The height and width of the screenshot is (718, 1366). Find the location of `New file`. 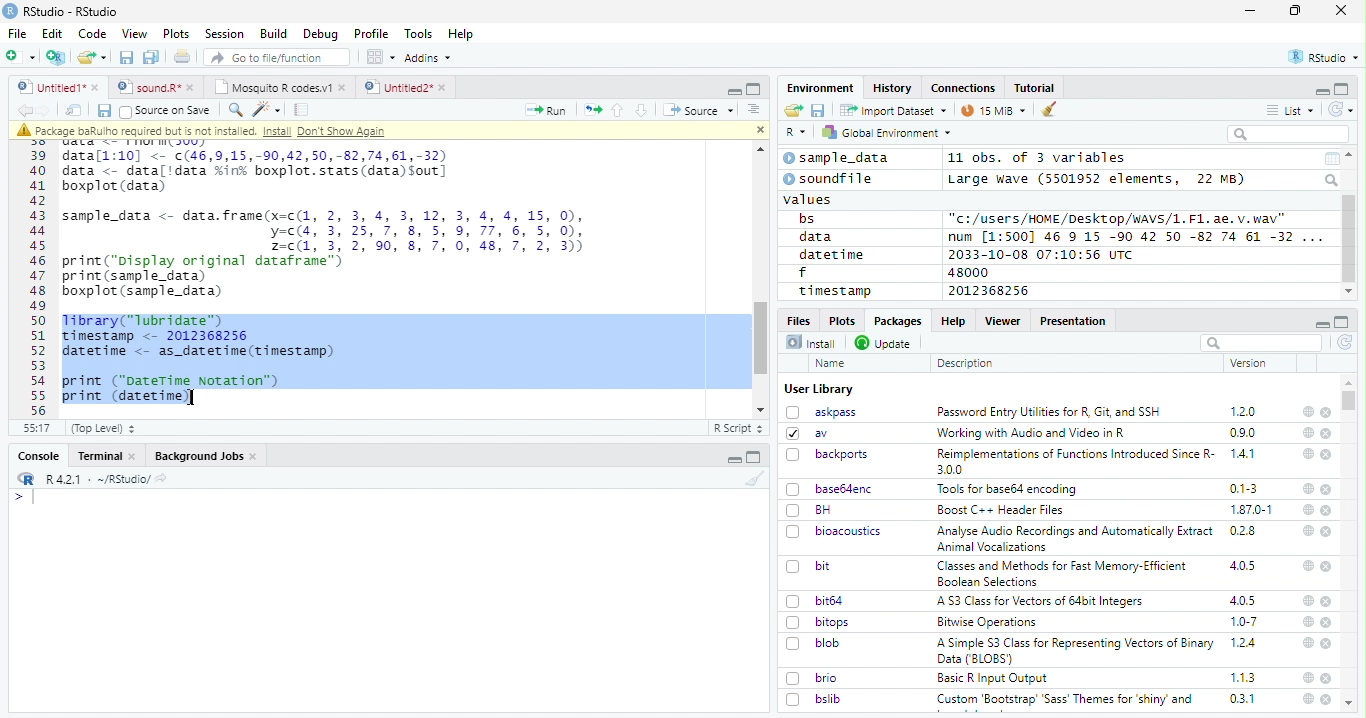

New file is located at coordinates (22, 57).